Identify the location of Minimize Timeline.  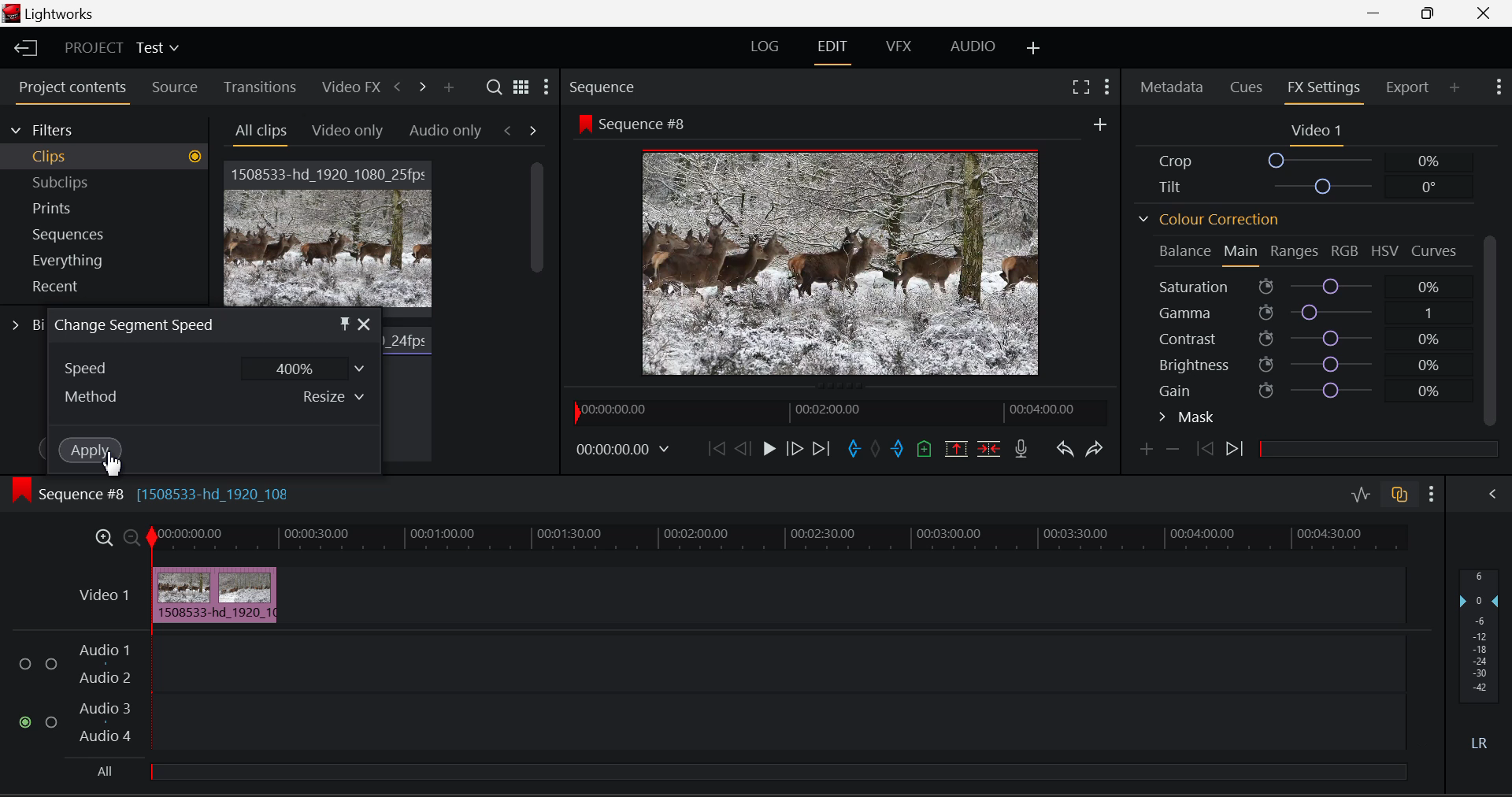
(131, 537).